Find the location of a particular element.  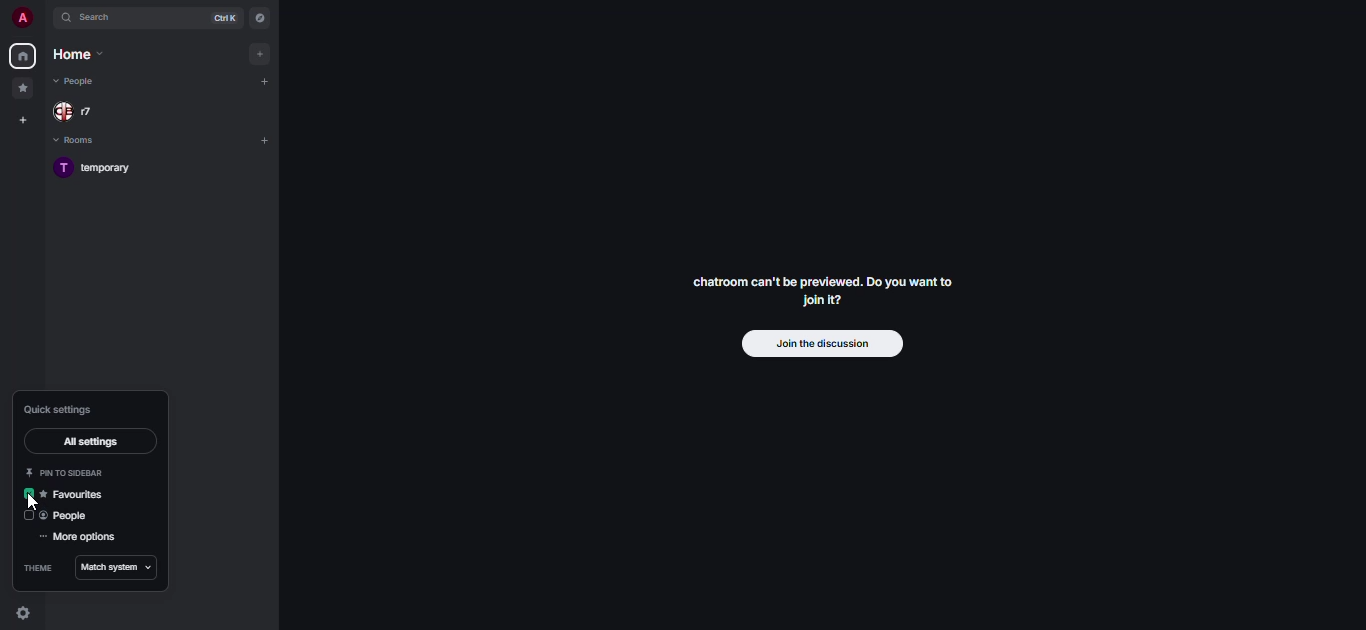

home is located at coordinates (22, 56).